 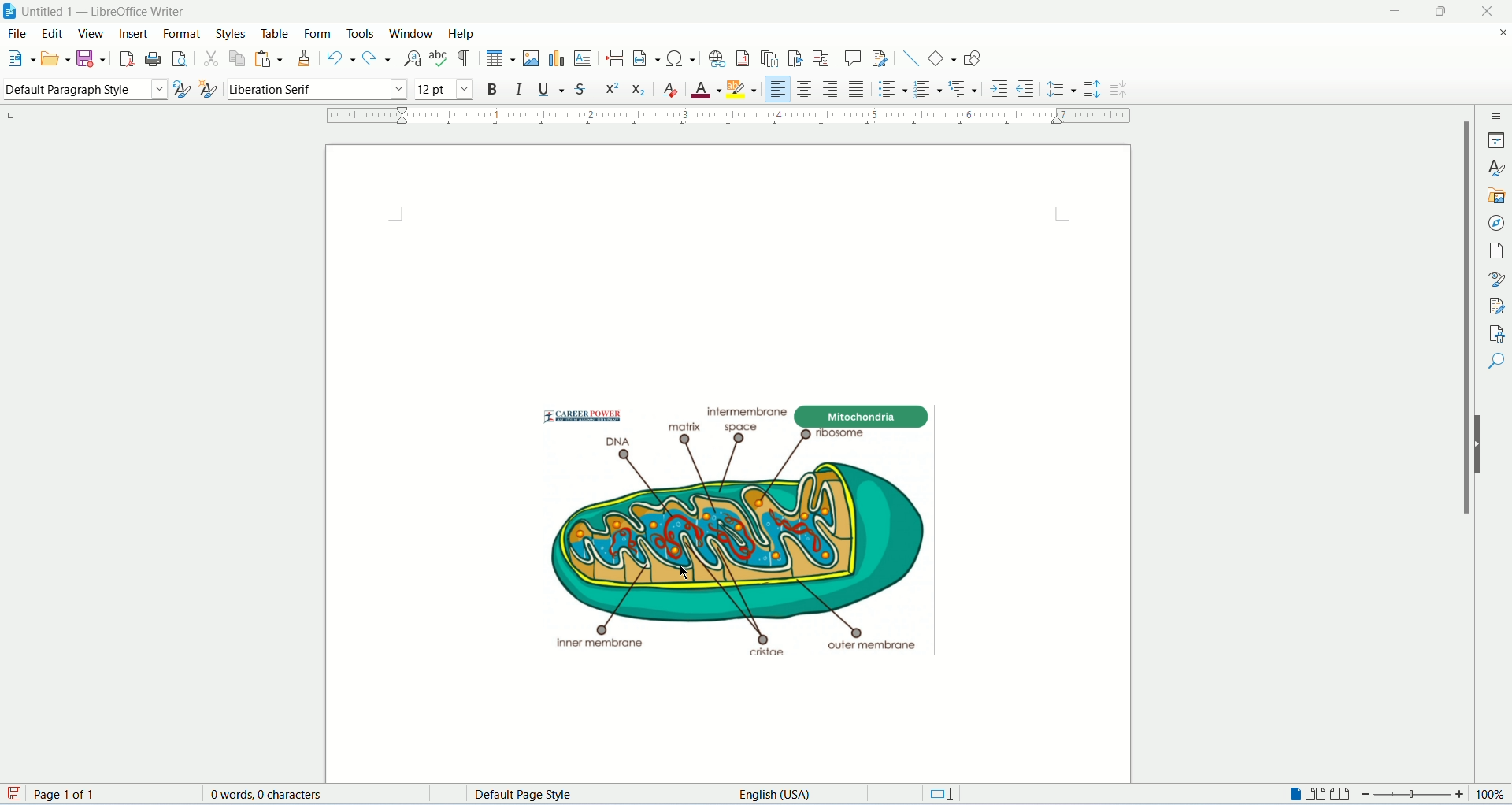 I want to click on insert field, so click(x=647, y=58).